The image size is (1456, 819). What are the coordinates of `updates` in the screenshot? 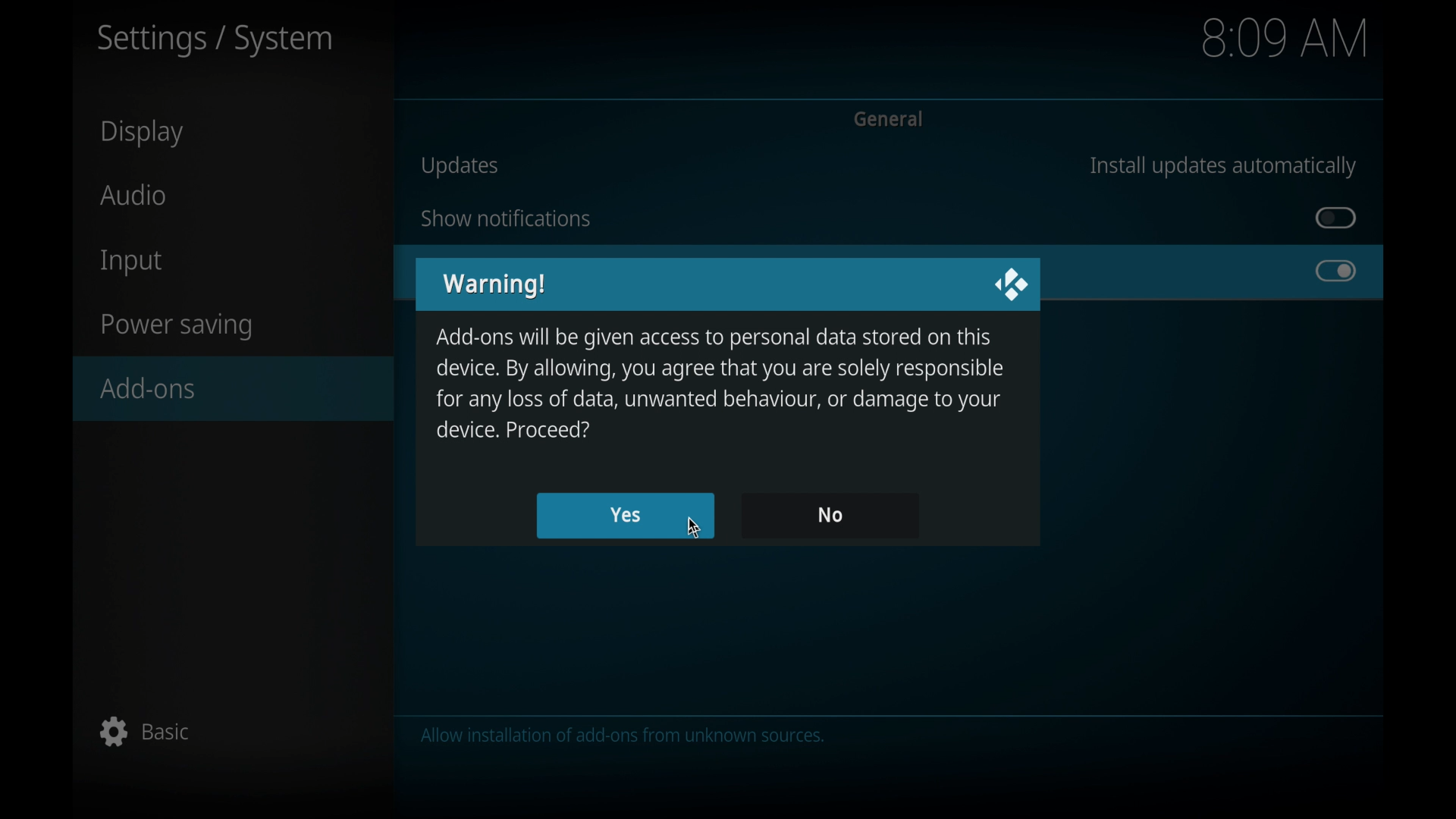 It's located at (460, 166).